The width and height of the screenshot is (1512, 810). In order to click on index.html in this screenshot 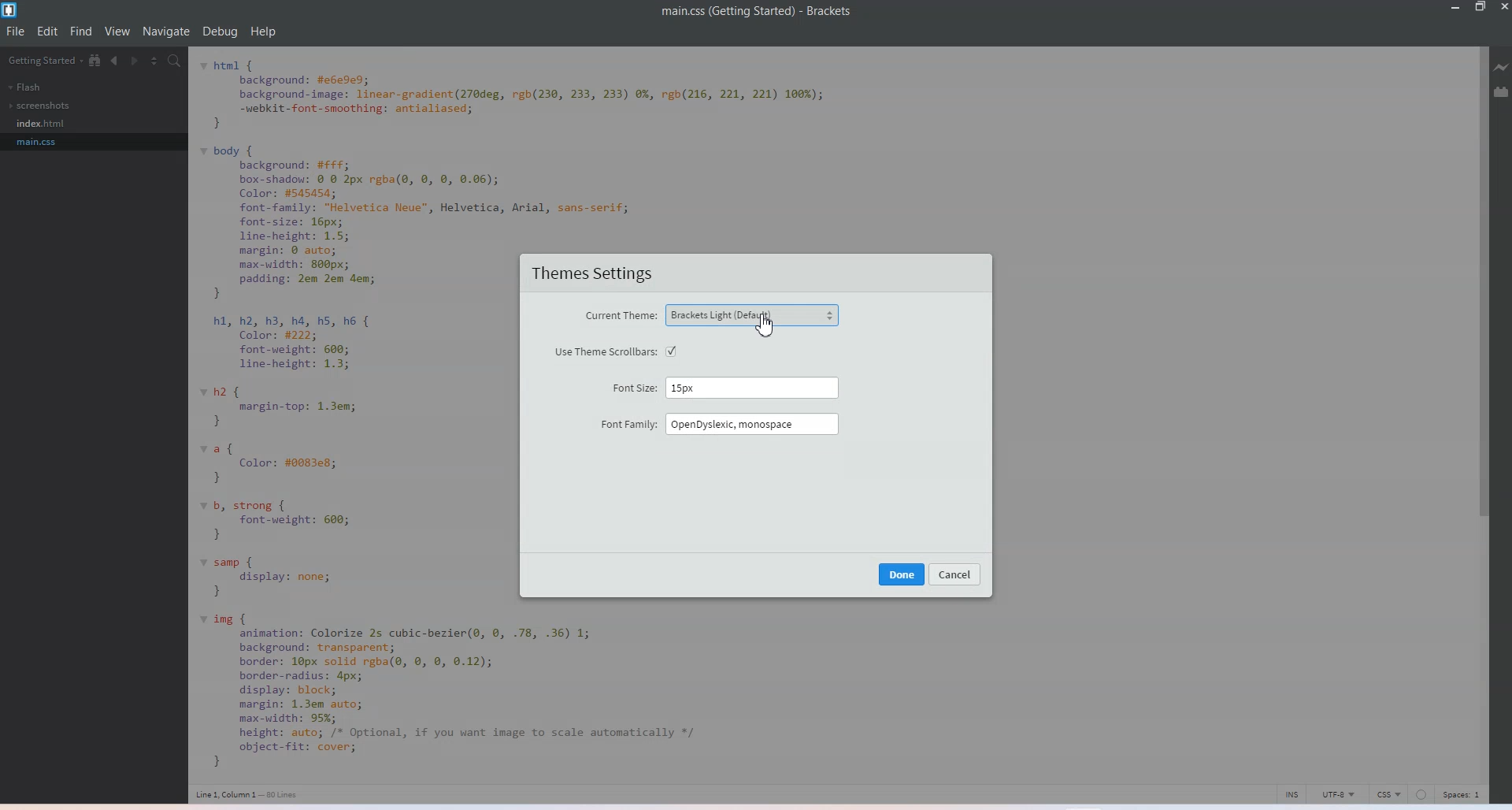, I will do `click(43, 124)`.